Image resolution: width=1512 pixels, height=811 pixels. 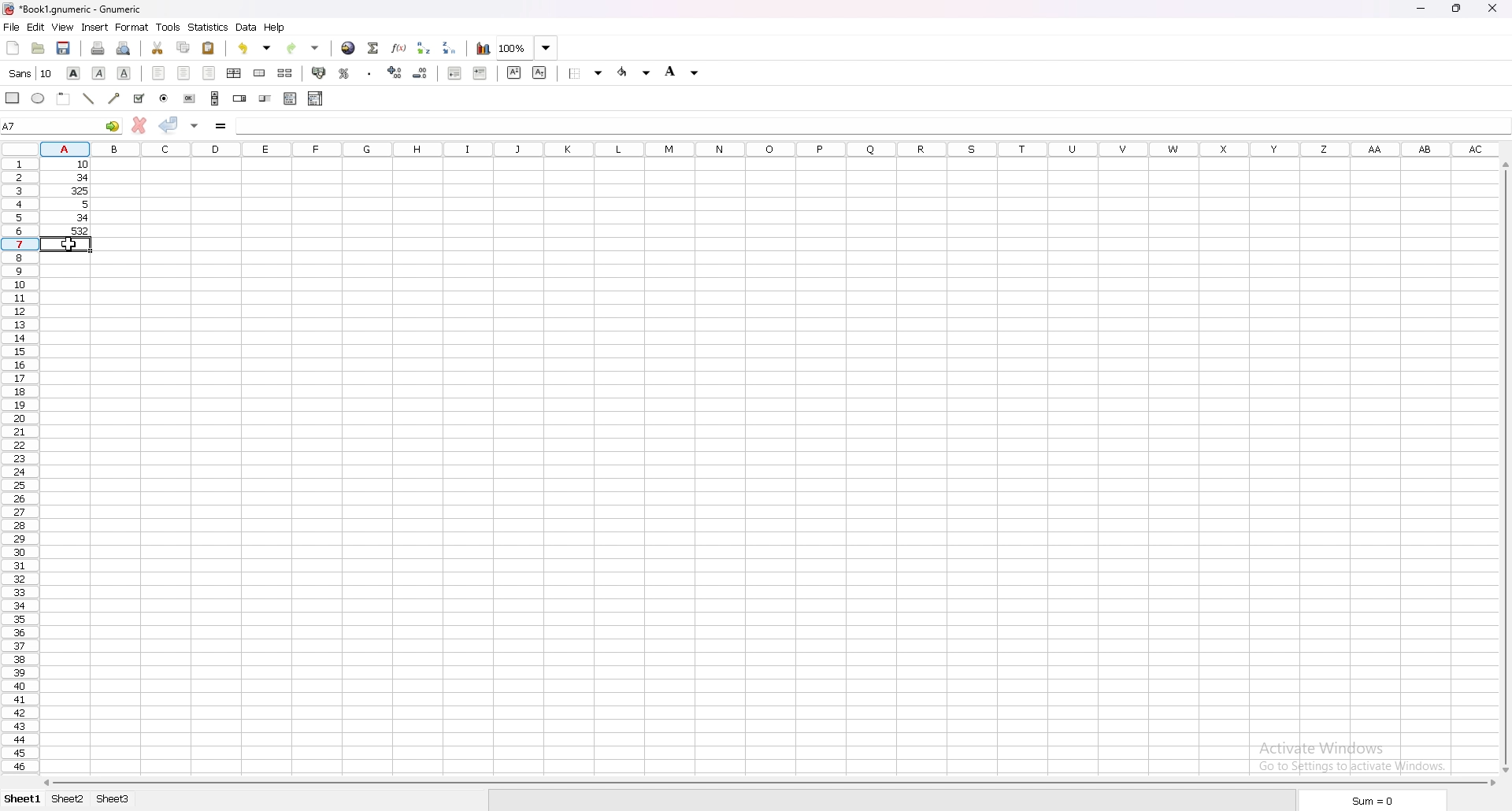 What do you see at coordinates (14, 47) in the screenshot?
I see `new` at bounding box center [14, 47].